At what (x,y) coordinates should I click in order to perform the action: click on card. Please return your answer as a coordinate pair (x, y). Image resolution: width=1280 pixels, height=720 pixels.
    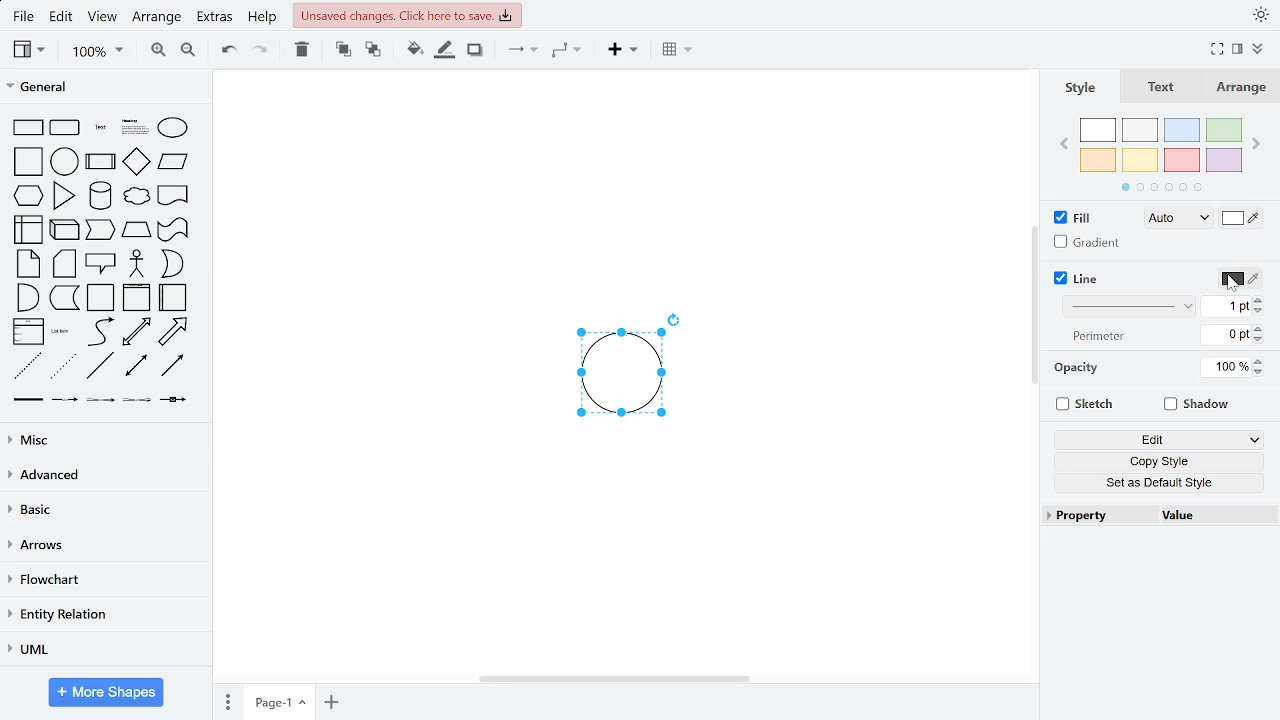
    Looking at the image, I should click on (64, 263).